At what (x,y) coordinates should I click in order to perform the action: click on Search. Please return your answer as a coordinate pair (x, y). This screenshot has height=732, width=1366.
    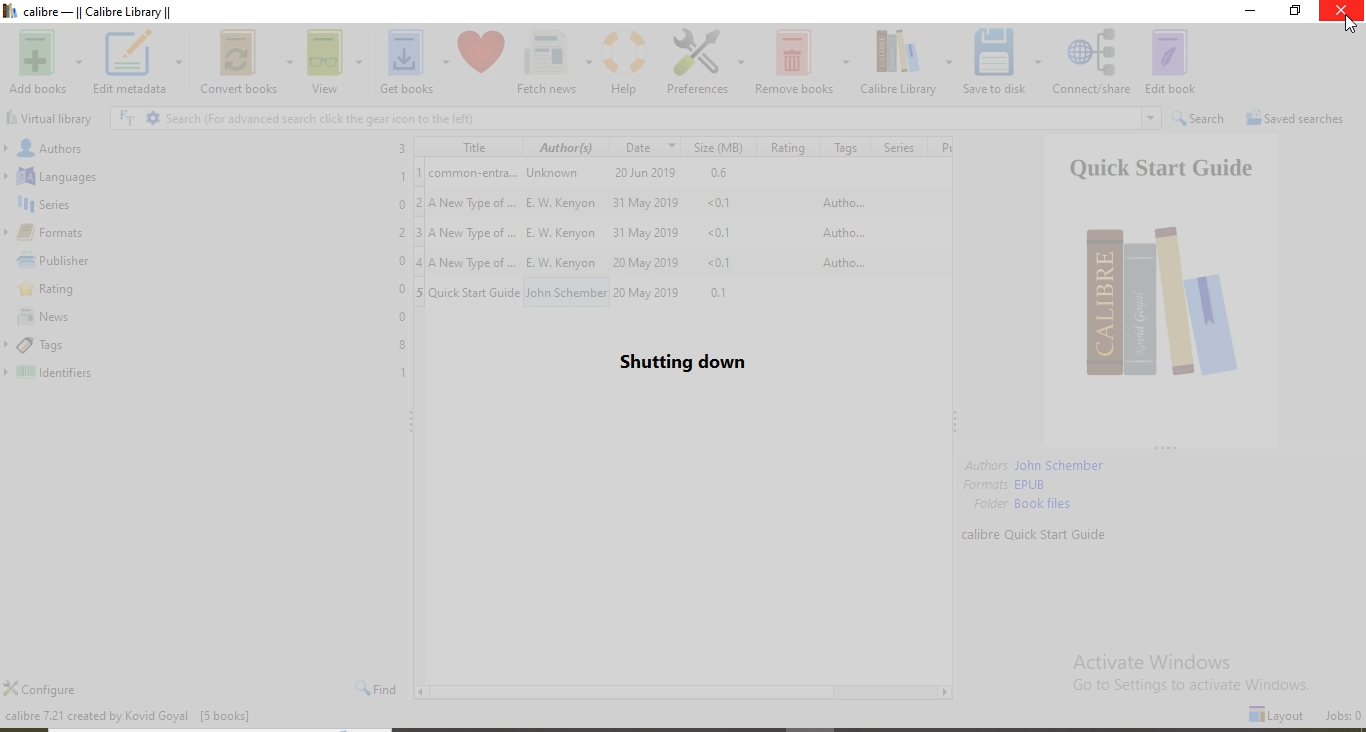
    Looking at the image, I should click on (1201, 120).